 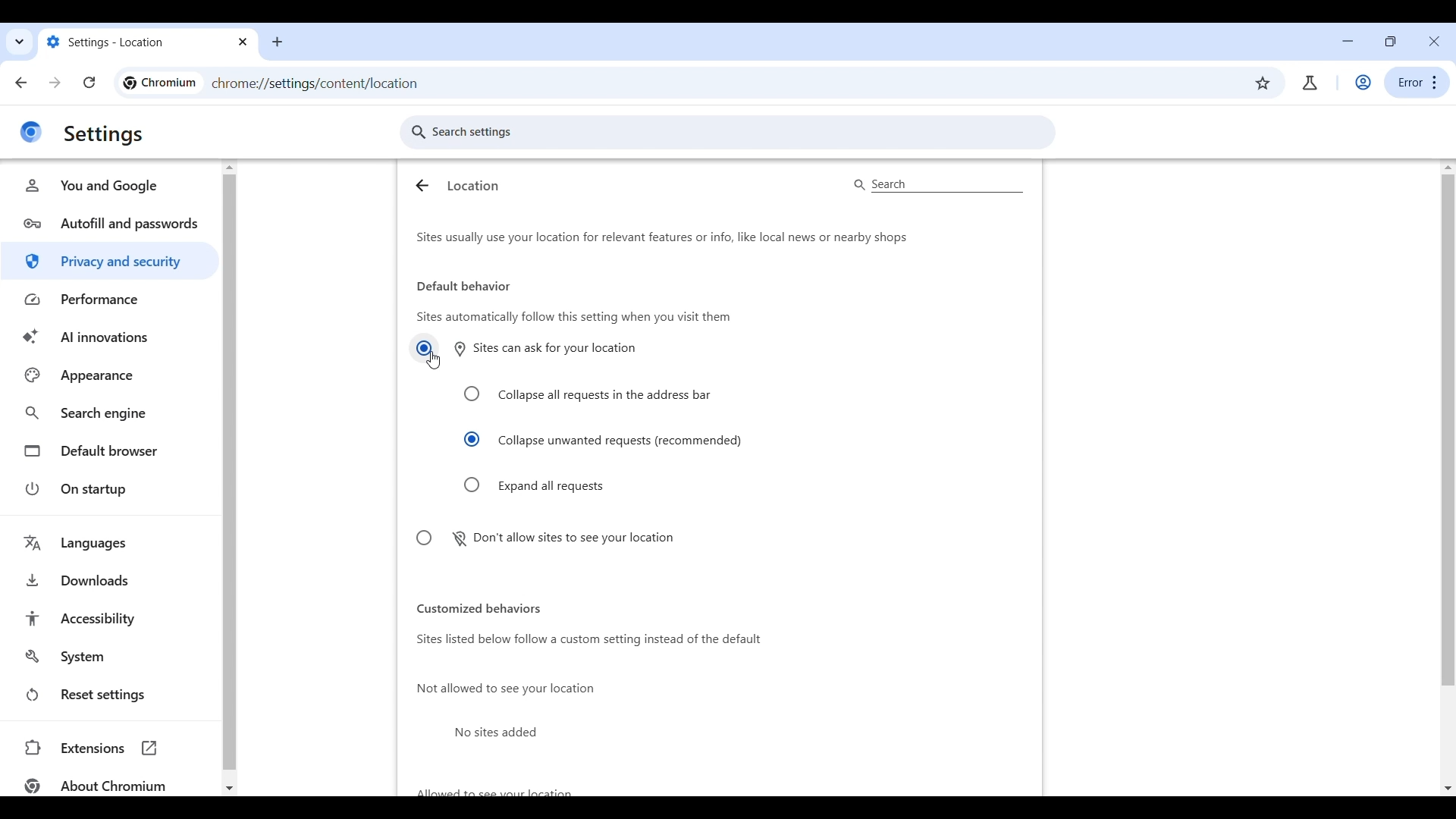 I want to click on Close , so click(x=1432, y=40).